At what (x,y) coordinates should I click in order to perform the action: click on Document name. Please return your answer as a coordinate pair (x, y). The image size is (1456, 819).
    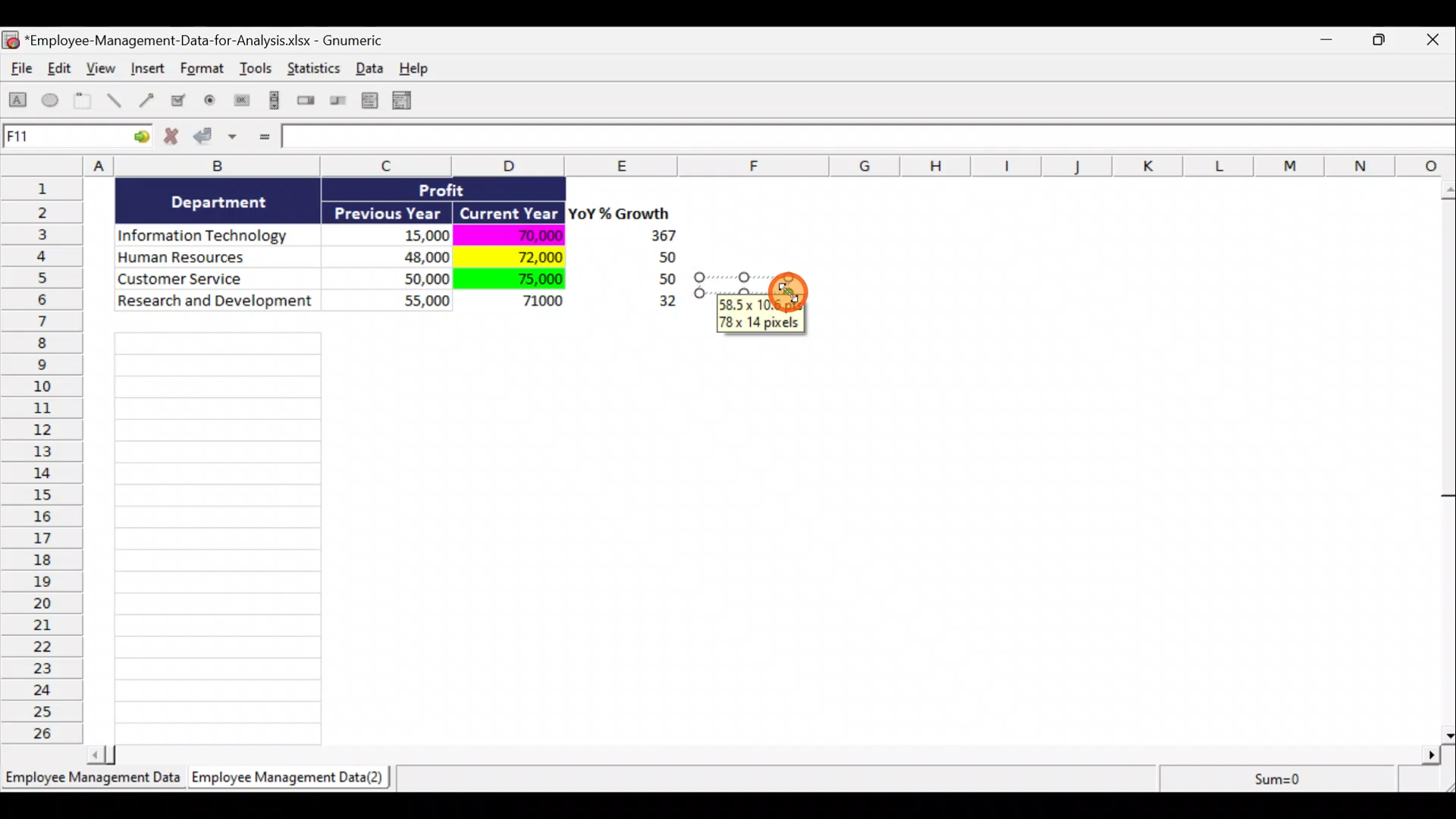
    Looking at the image, I should click on (201, 42).